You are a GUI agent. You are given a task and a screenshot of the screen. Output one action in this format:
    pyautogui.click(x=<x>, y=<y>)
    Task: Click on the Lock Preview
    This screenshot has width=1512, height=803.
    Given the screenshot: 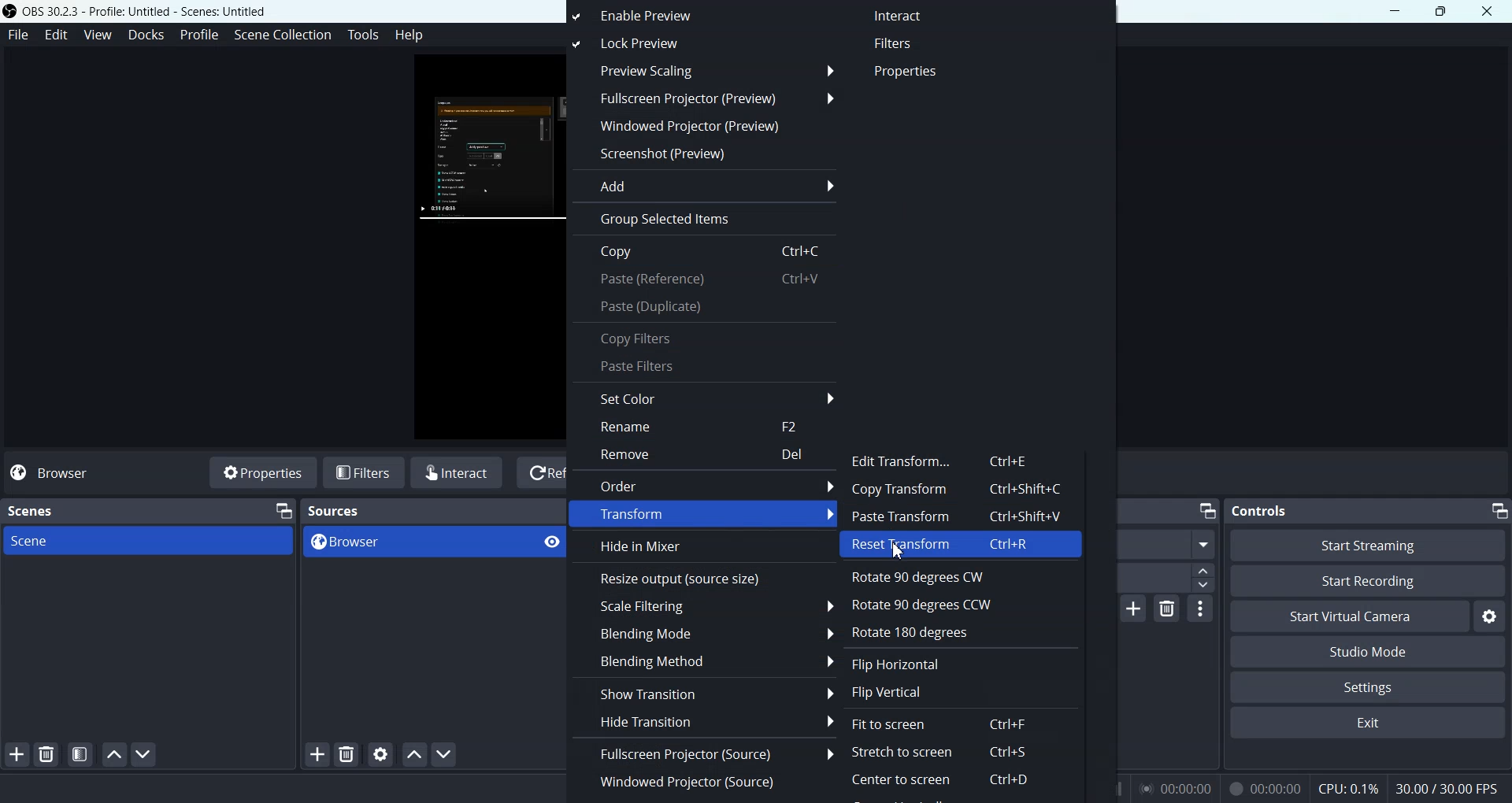 What is the action you would take?
    pyautogui.click(x=662, y=44)
    